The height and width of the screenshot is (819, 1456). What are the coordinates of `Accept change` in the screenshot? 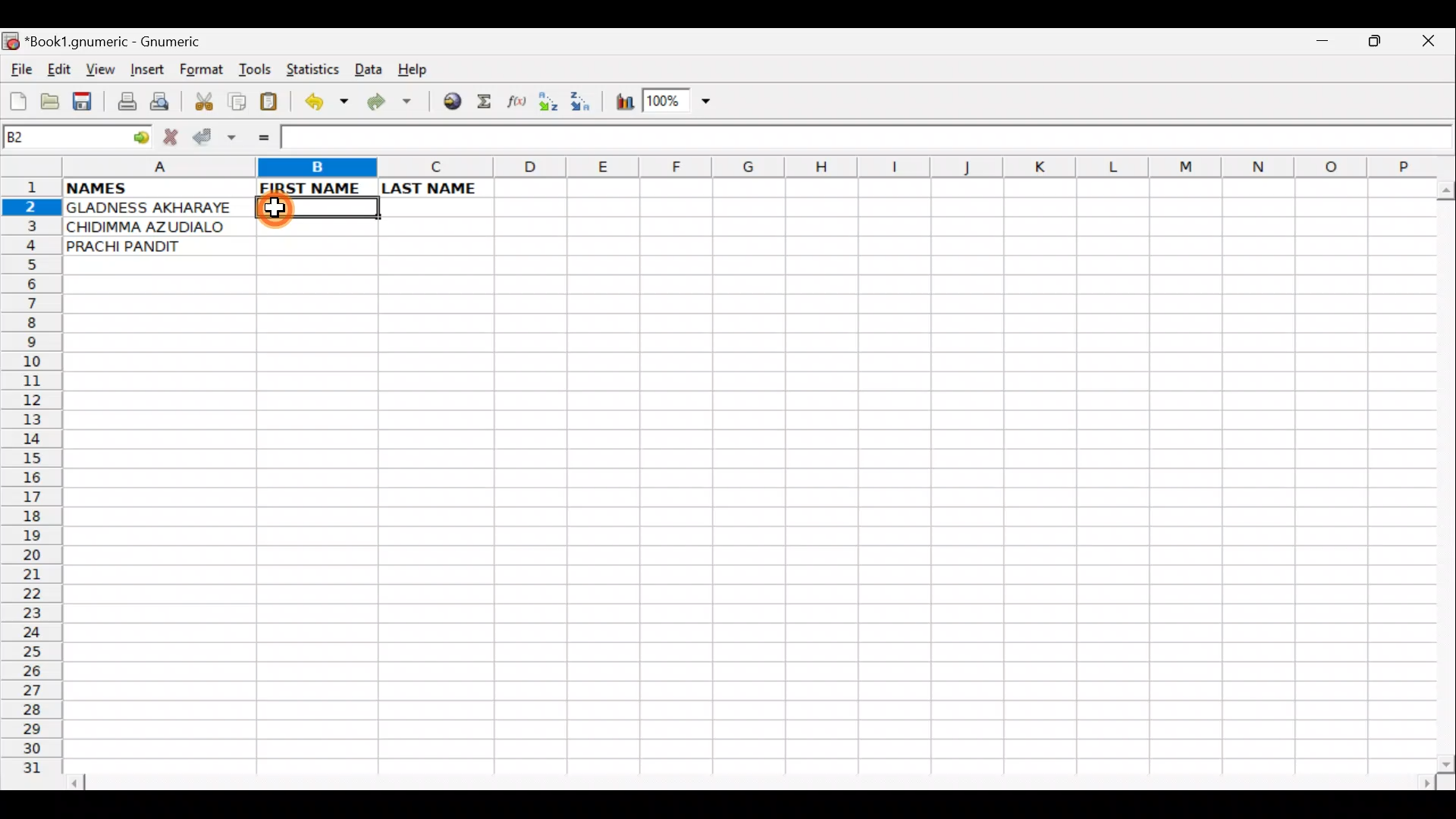 It's located at (215, 136).